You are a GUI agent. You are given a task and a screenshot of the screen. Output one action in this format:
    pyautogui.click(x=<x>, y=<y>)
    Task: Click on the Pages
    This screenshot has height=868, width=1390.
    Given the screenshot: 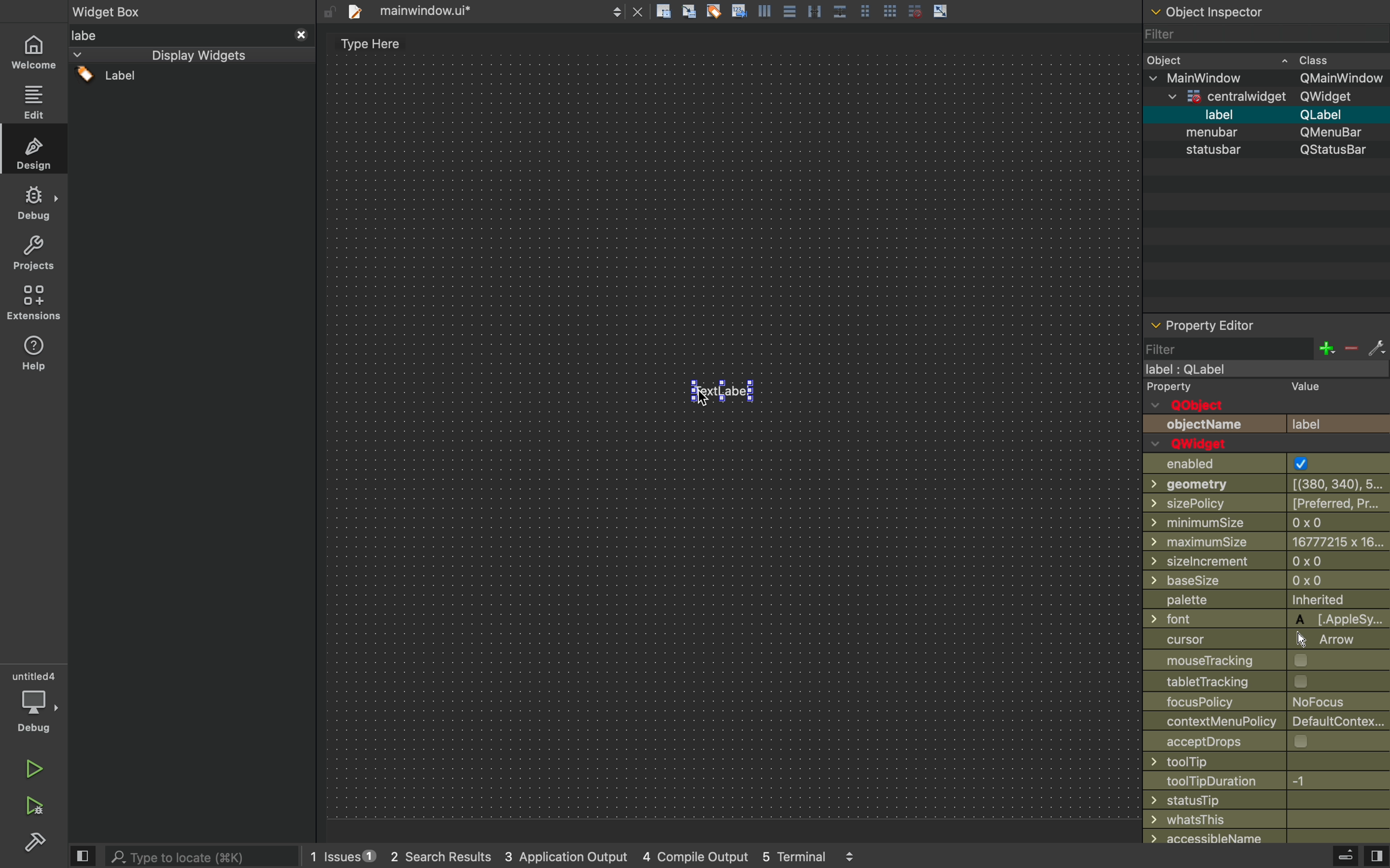 What is the action you would take?
    pyautogui.click(x=868, y=10)
    